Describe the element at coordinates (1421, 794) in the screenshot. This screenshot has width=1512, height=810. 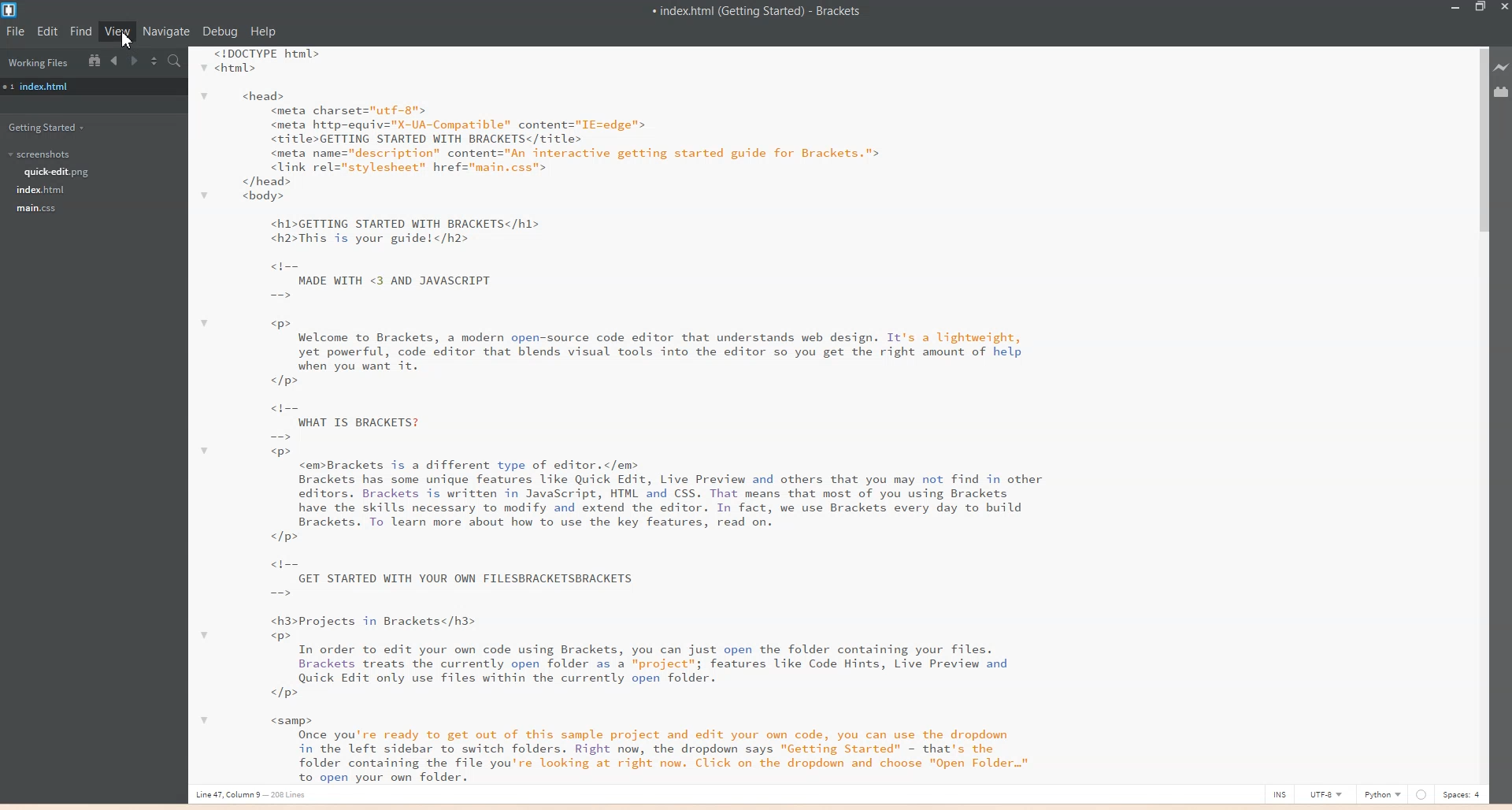
I see `` at that location.